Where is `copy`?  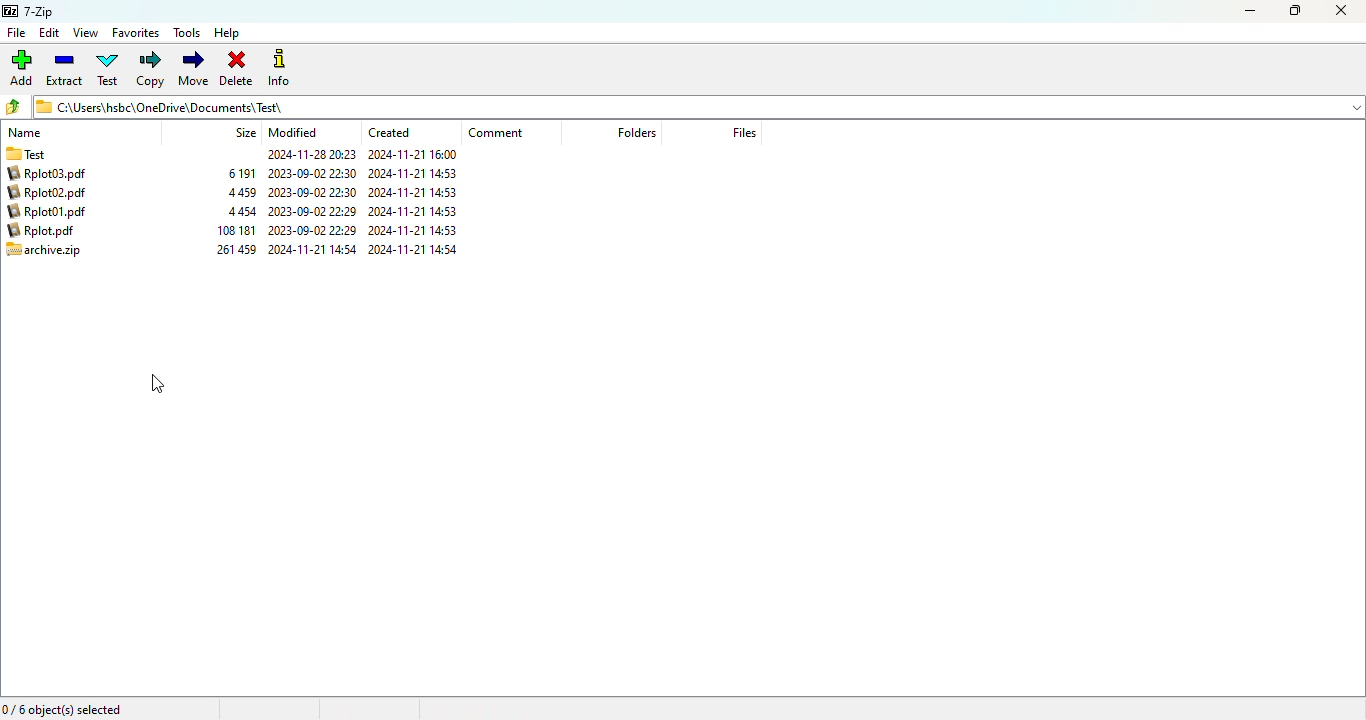
copy is located at coordinates (150, 69).